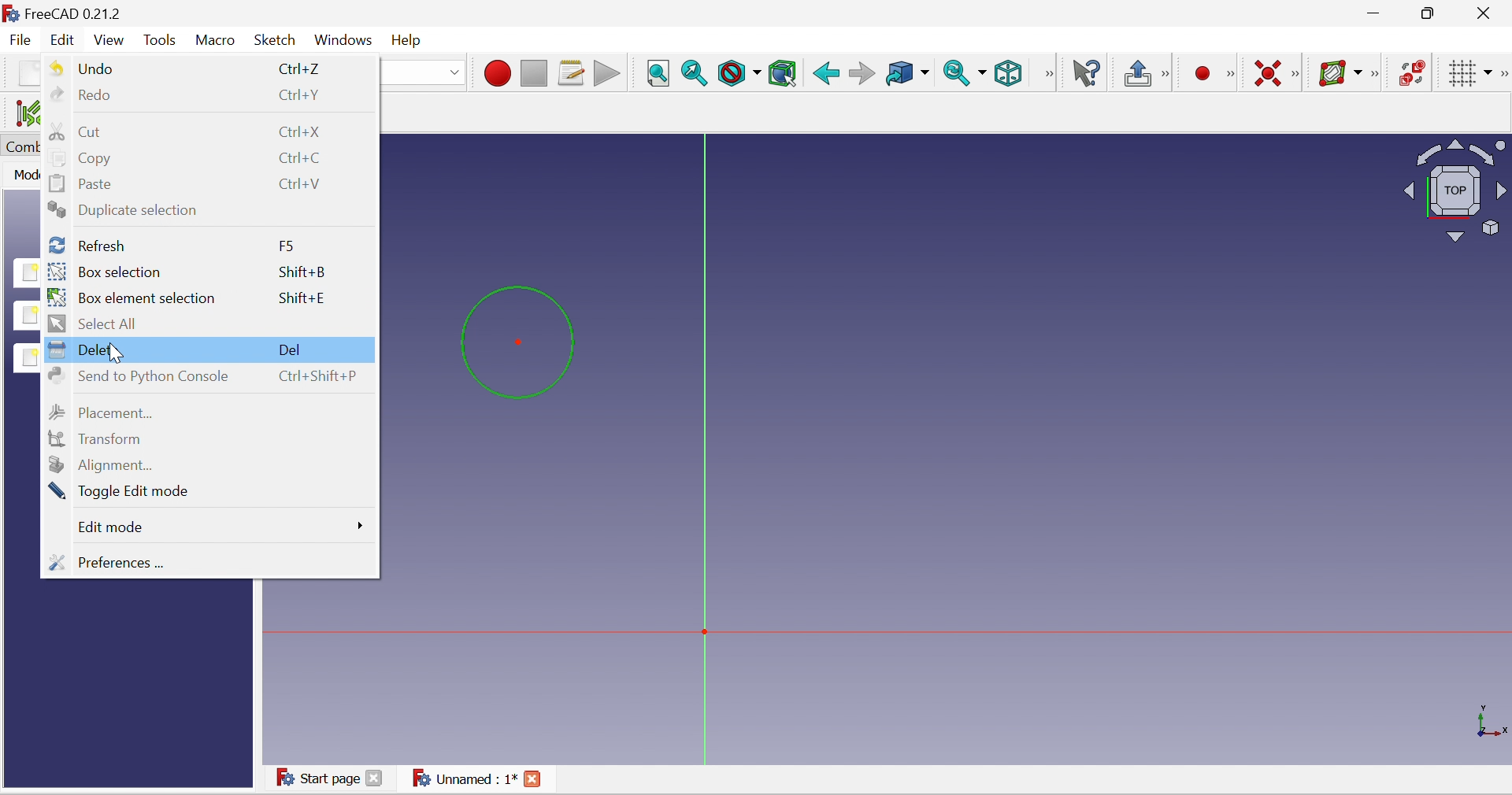  I want to click on Fit selection, so click(693, 72).